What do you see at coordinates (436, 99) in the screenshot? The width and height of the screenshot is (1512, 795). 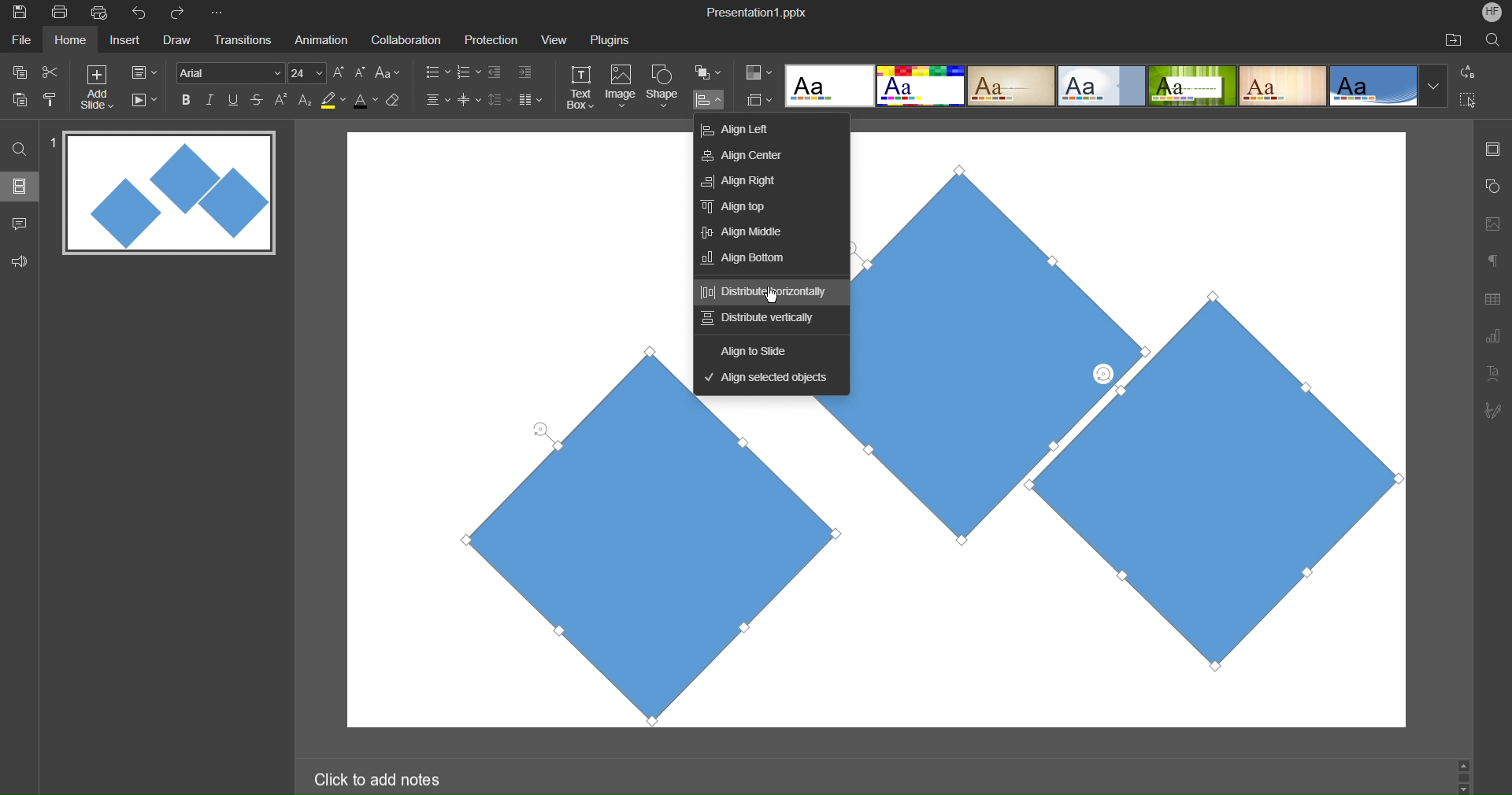 I see `Alignment` at bounding box center [436, 99].